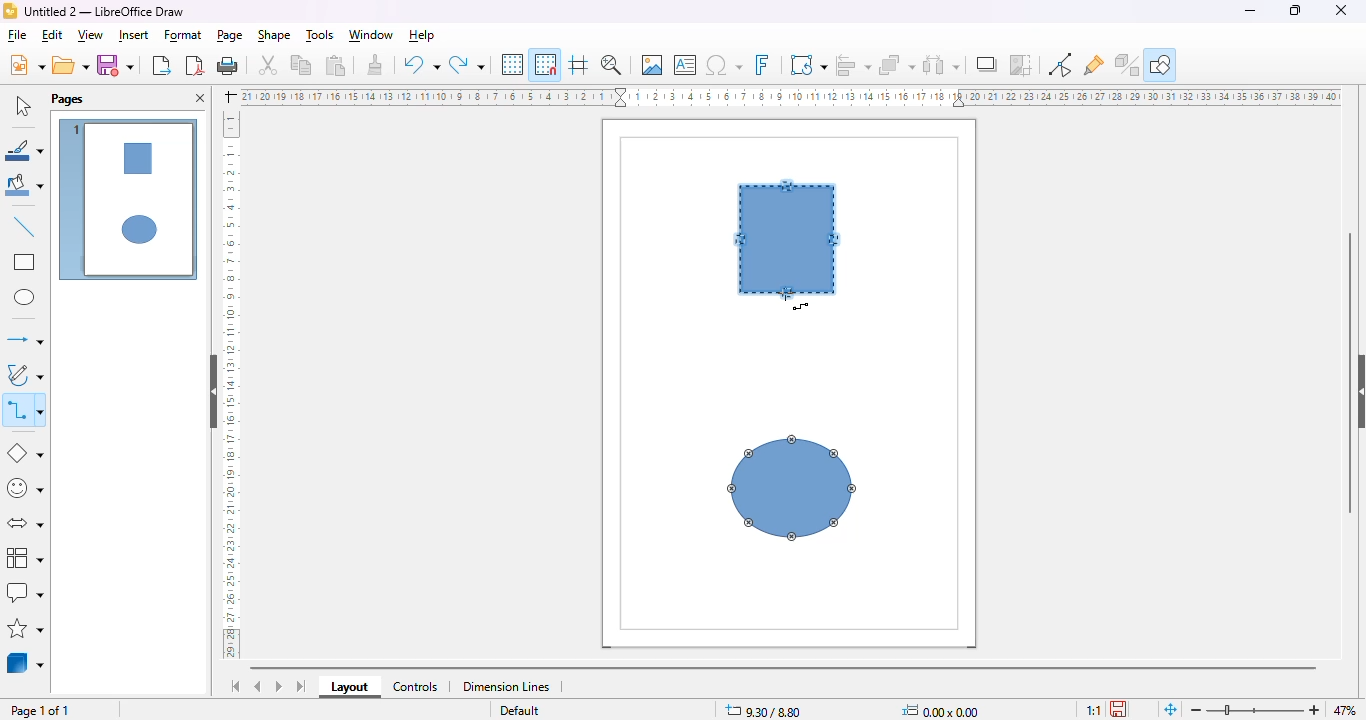  I want to click on 3D objects, so click(26, 662).